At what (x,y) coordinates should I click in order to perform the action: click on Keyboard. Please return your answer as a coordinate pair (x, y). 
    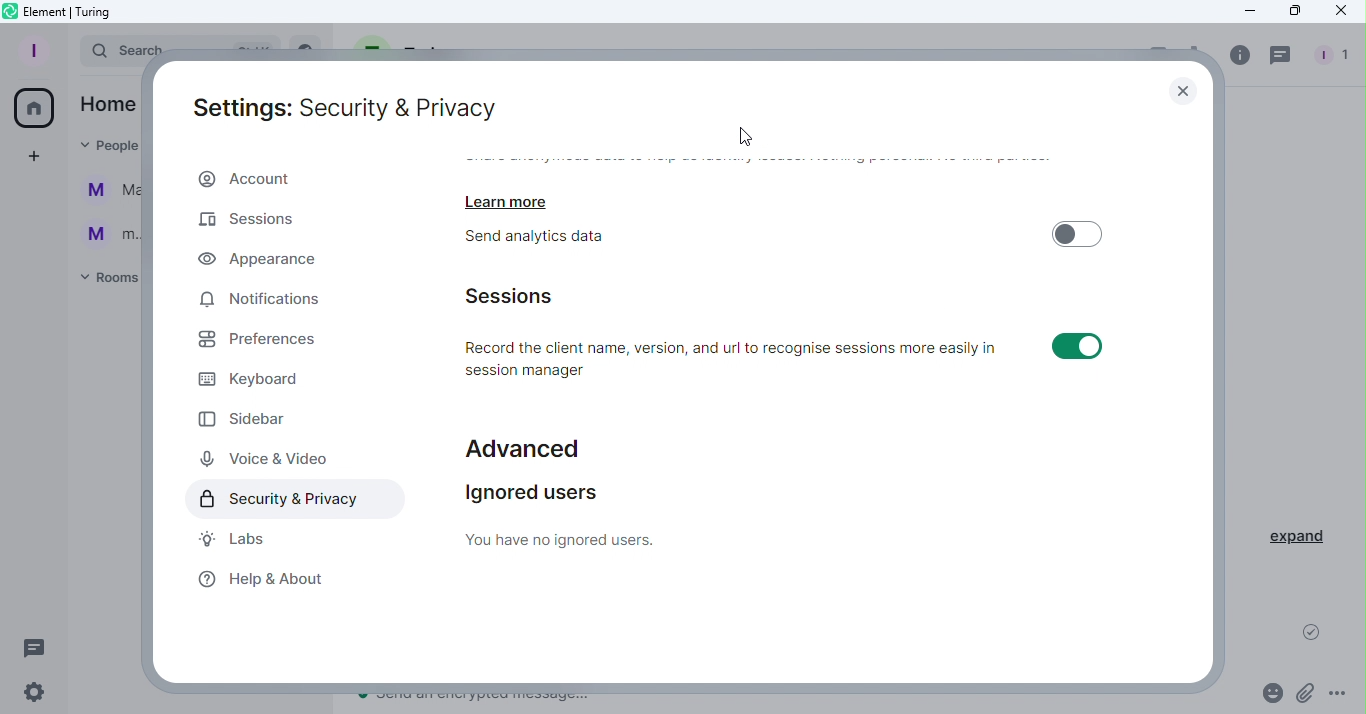
    Looking at the image, I should click on (258, 382).